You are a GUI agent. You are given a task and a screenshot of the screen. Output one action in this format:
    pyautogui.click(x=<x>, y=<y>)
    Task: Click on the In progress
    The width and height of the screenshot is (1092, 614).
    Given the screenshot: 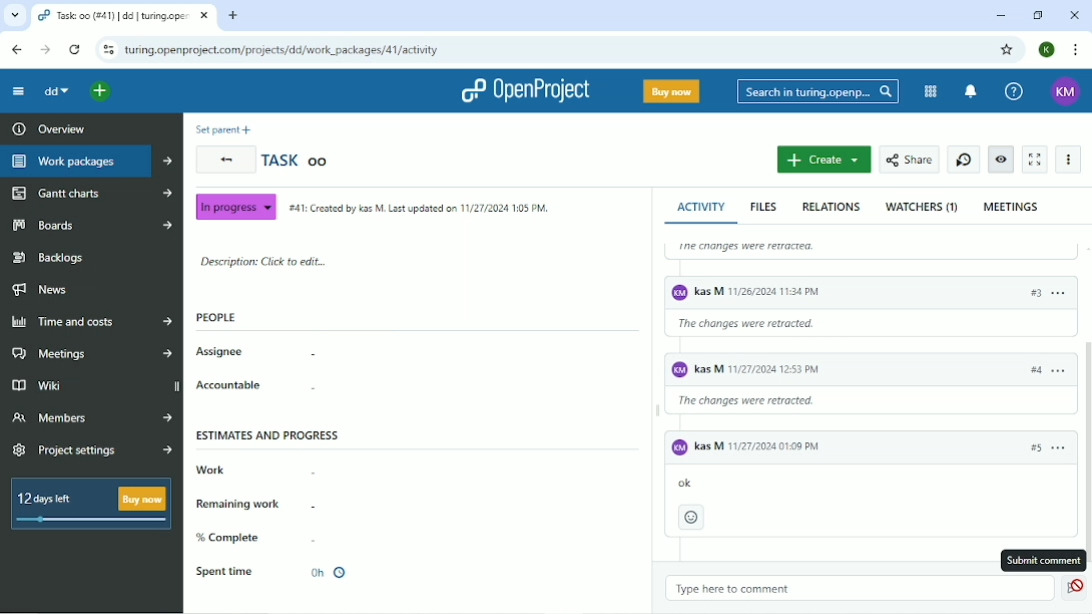 What is the action you would take?
    pyautogui.click(x=235, y=206)
    